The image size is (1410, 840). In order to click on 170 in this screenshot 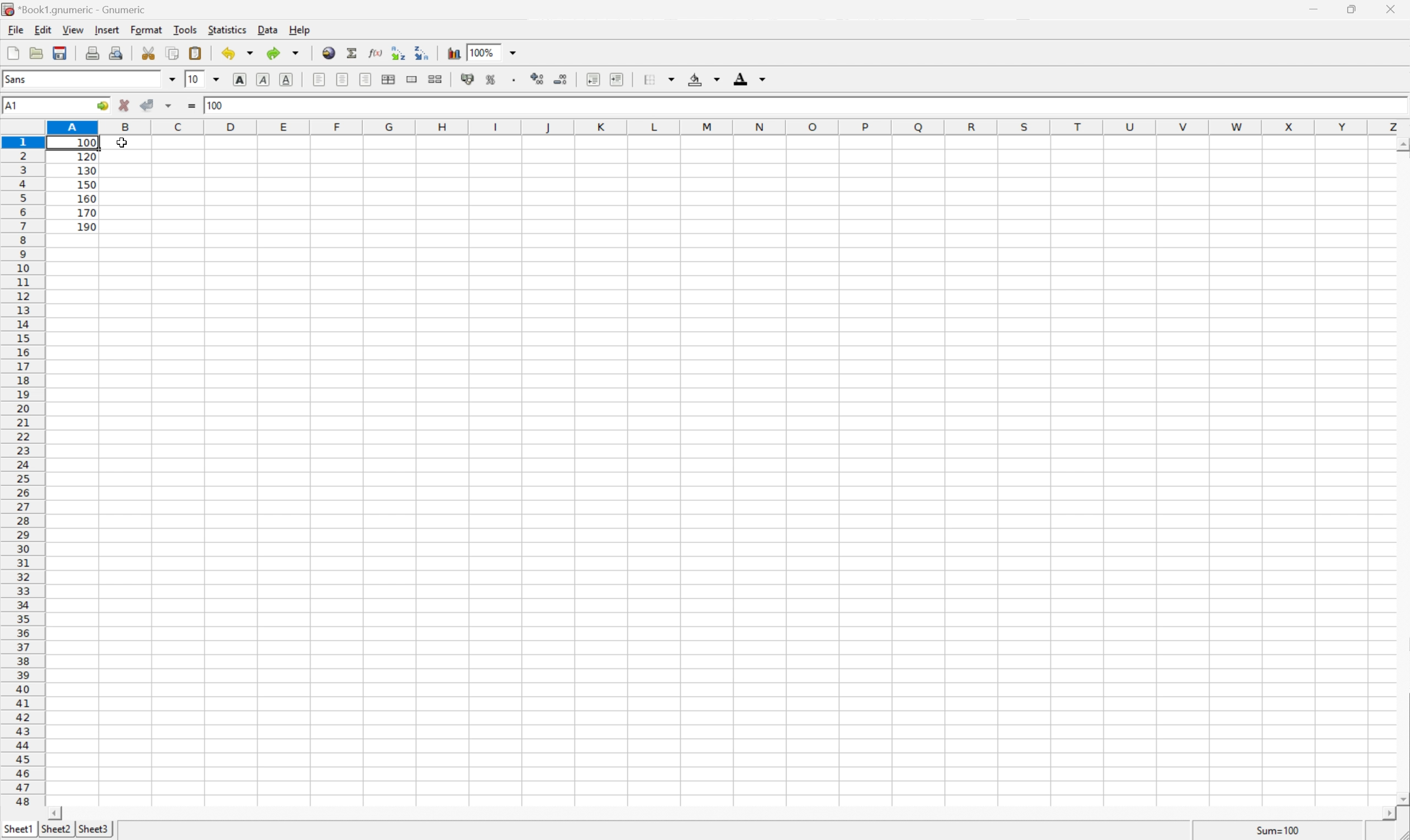, I will do `click(87, 212)`.